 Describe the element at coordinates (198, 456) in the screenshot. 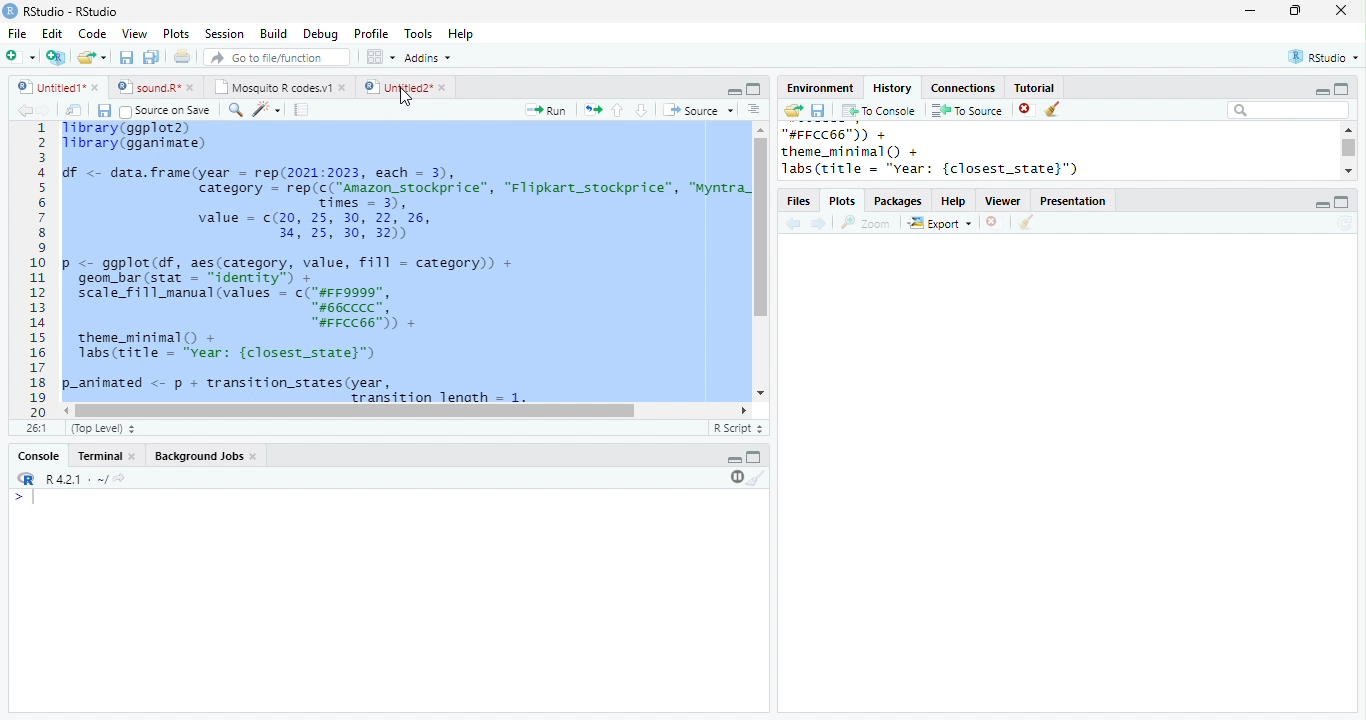

I see `Background Jobs` at that location.